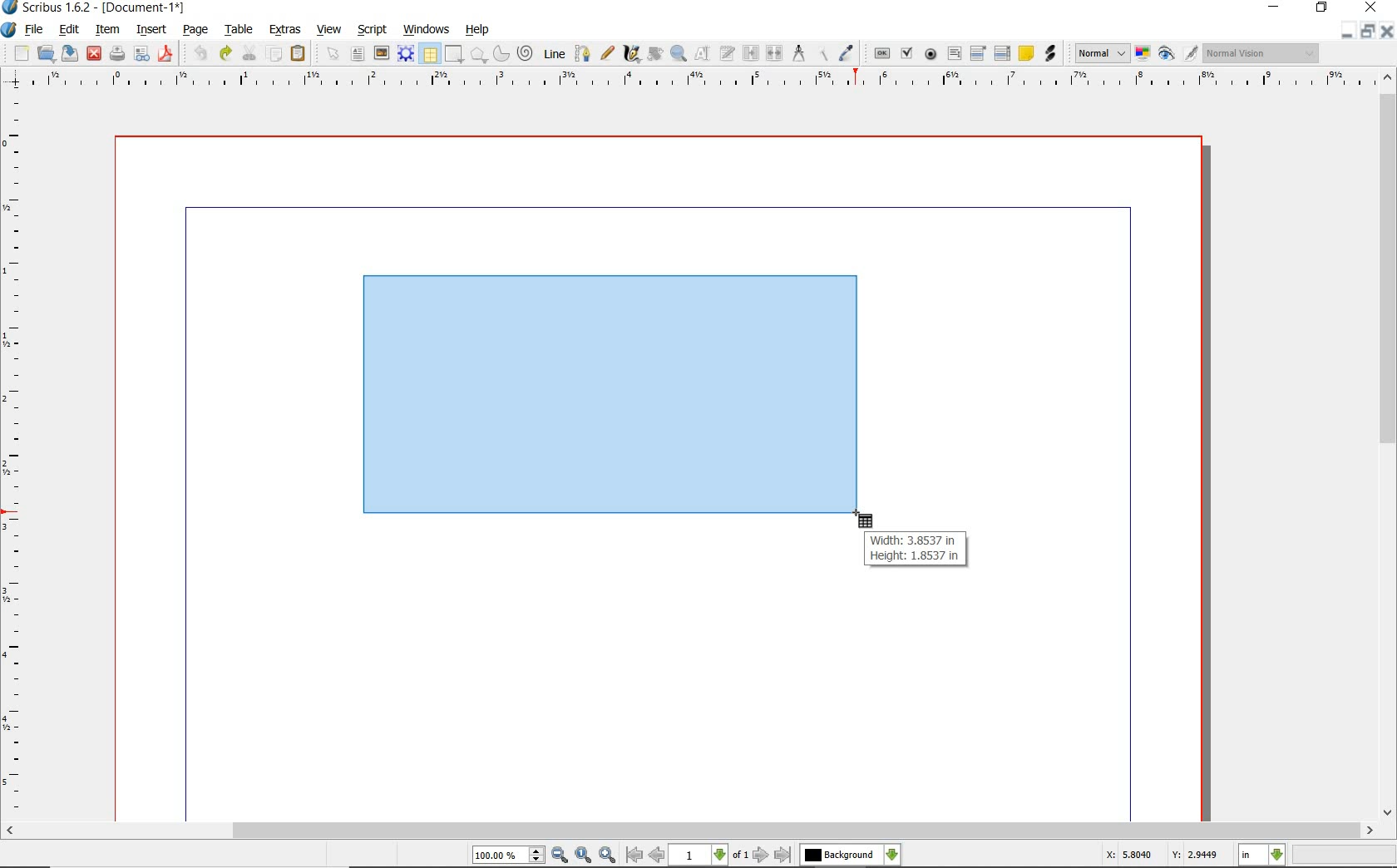 The width and height of the screenshot is (1397, 868). What do you see at coordinates (285, 30) in the screenshot?
I see `extras` at bounding box center [285, 30].